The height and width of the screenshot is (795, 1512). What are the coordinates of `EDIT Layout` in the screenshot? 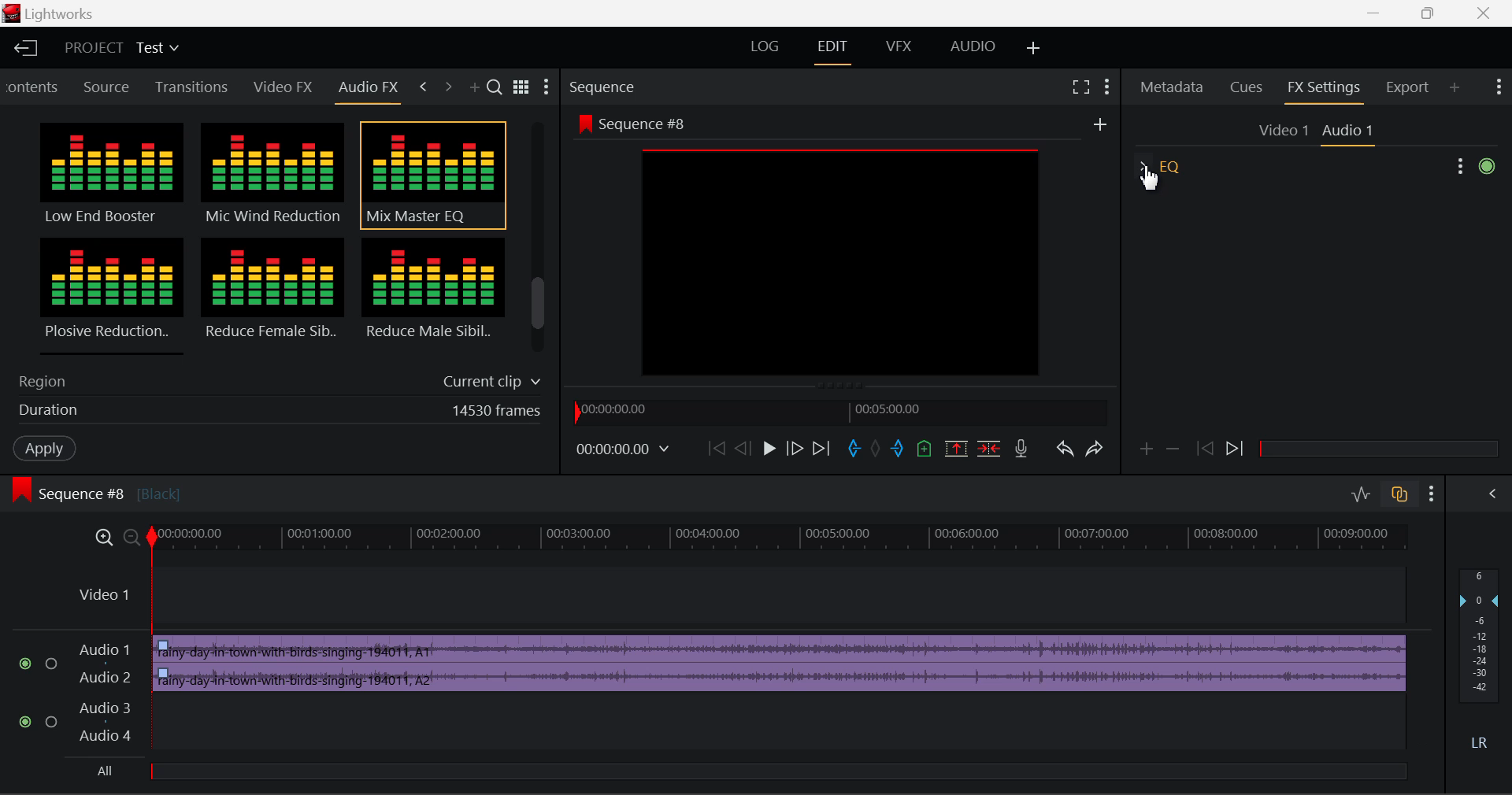 It's located at (838, 51).